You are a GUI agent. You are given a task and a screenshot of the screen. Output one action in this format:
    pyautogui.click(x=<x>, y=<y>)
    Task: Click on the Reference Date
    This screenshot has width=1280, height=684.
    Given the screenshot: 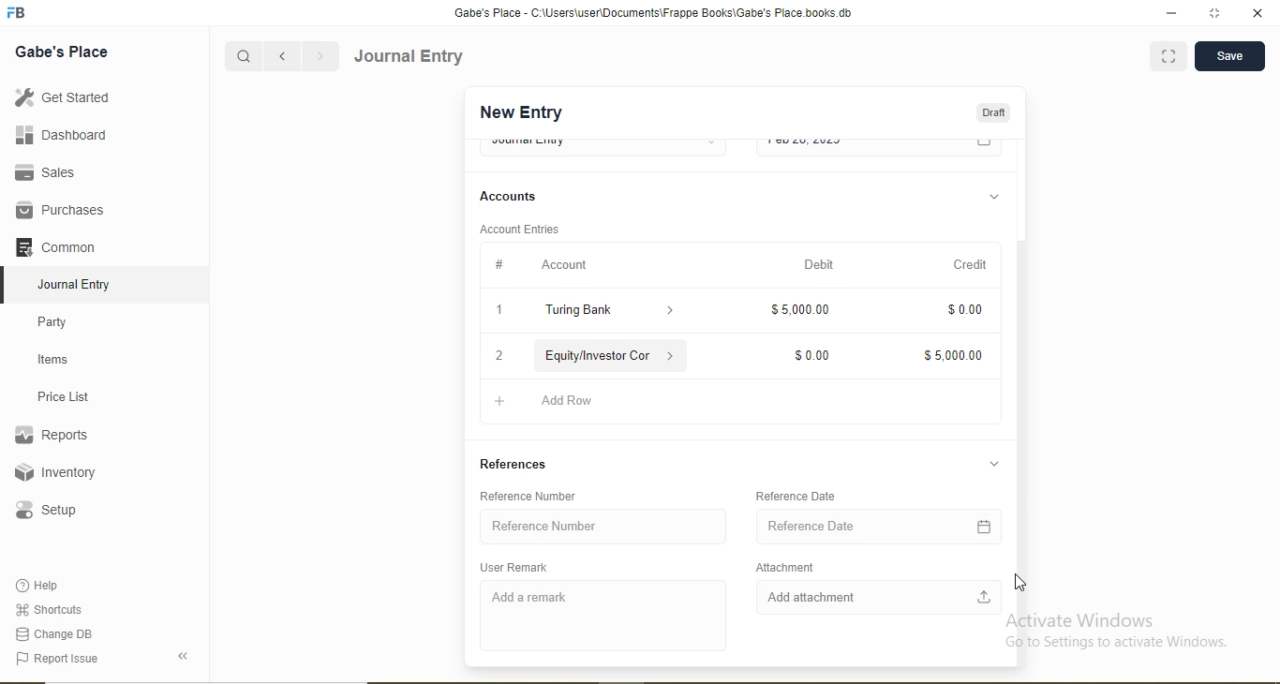 What is the action you would take?
    pyautogui.click(x=795, y=496)
    